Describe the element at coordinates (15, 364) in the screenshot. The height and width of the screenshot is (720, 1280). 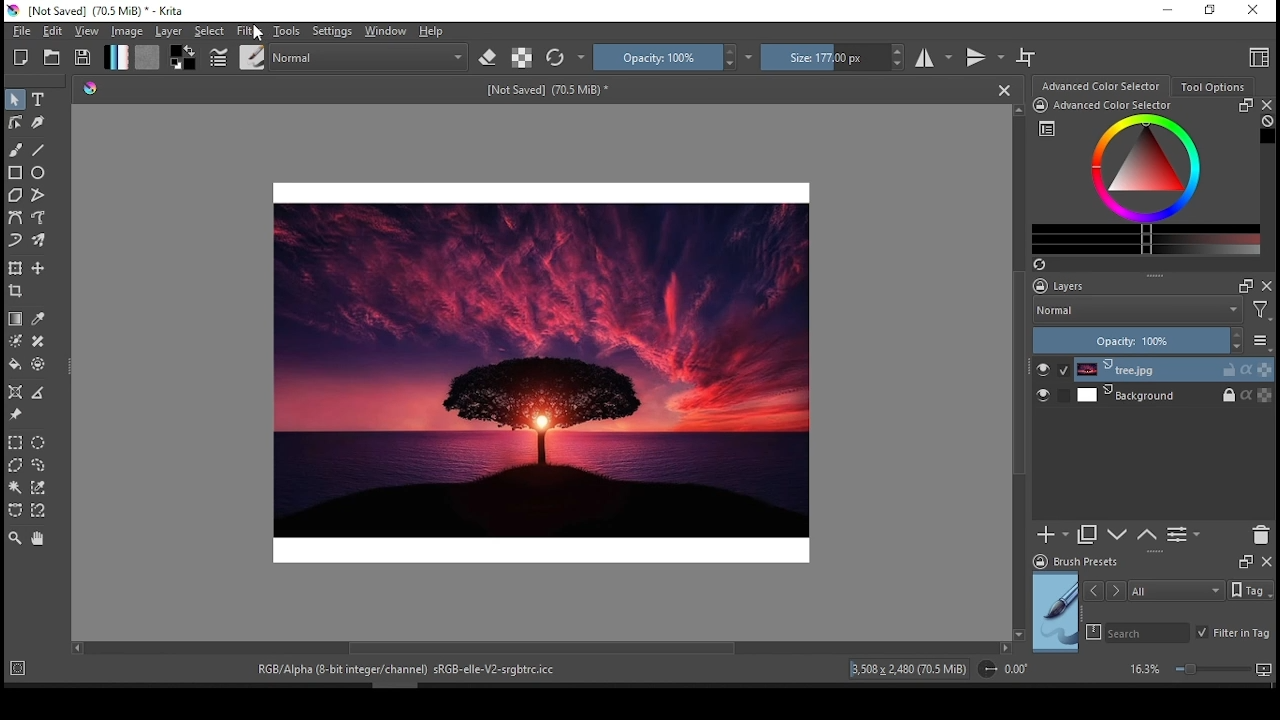
I see `fill tool` at that location.